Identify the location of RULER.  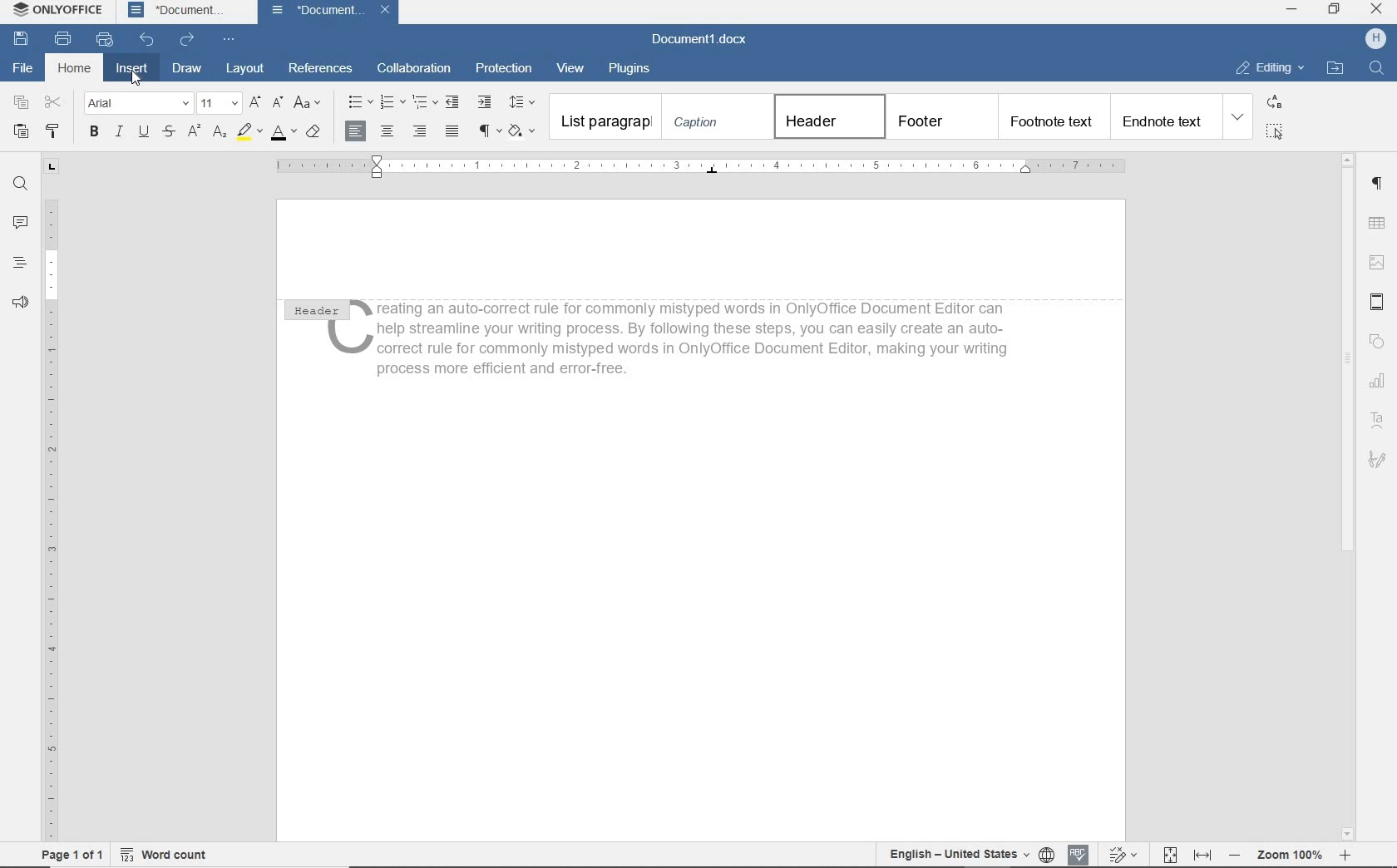
(703, 167).